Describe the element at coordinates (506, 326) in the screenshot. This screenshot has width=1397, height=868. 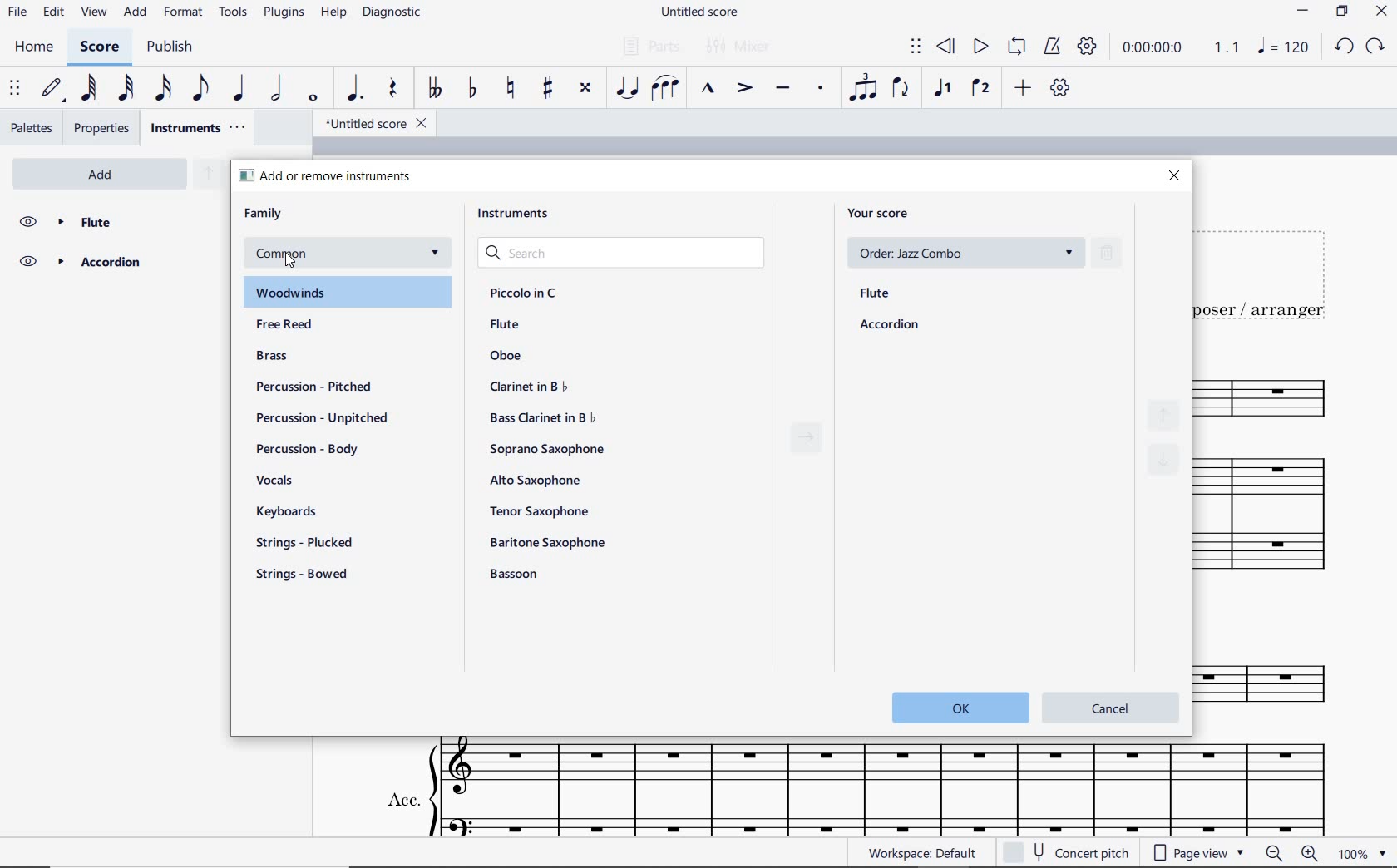
I see `flute` at that location.